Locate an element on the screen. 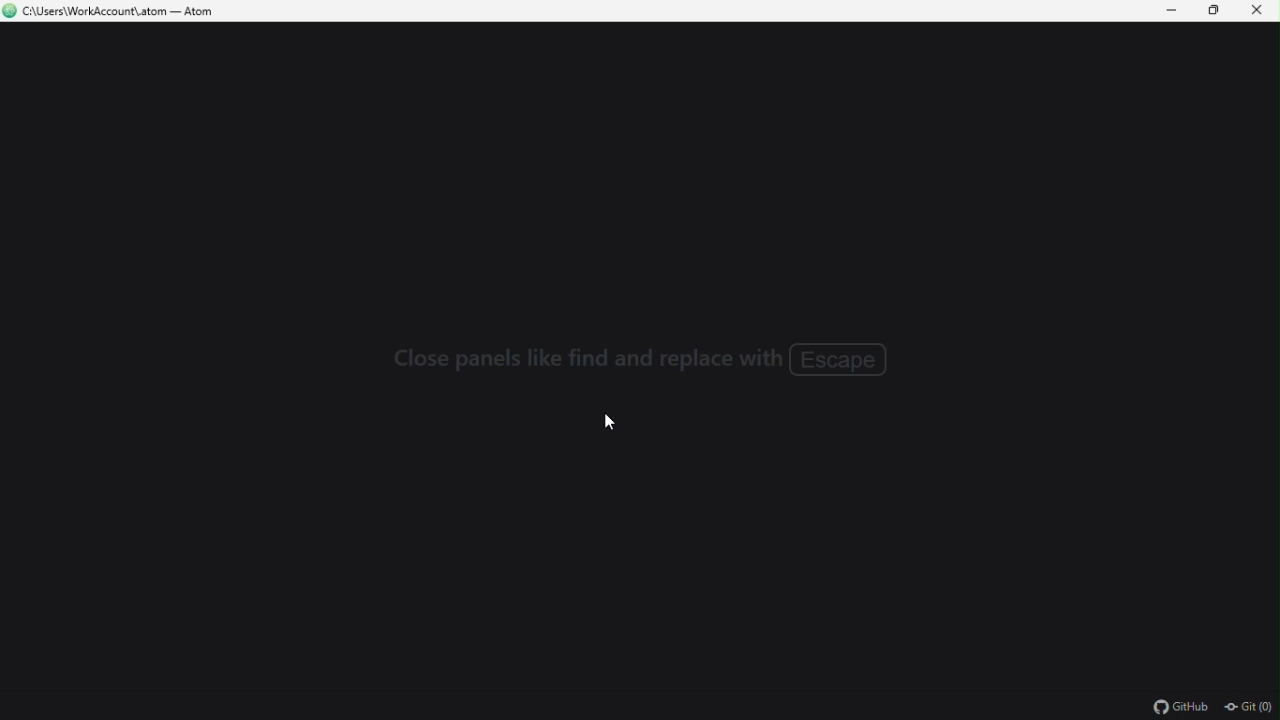  github is located at coordinates (1179, 706).